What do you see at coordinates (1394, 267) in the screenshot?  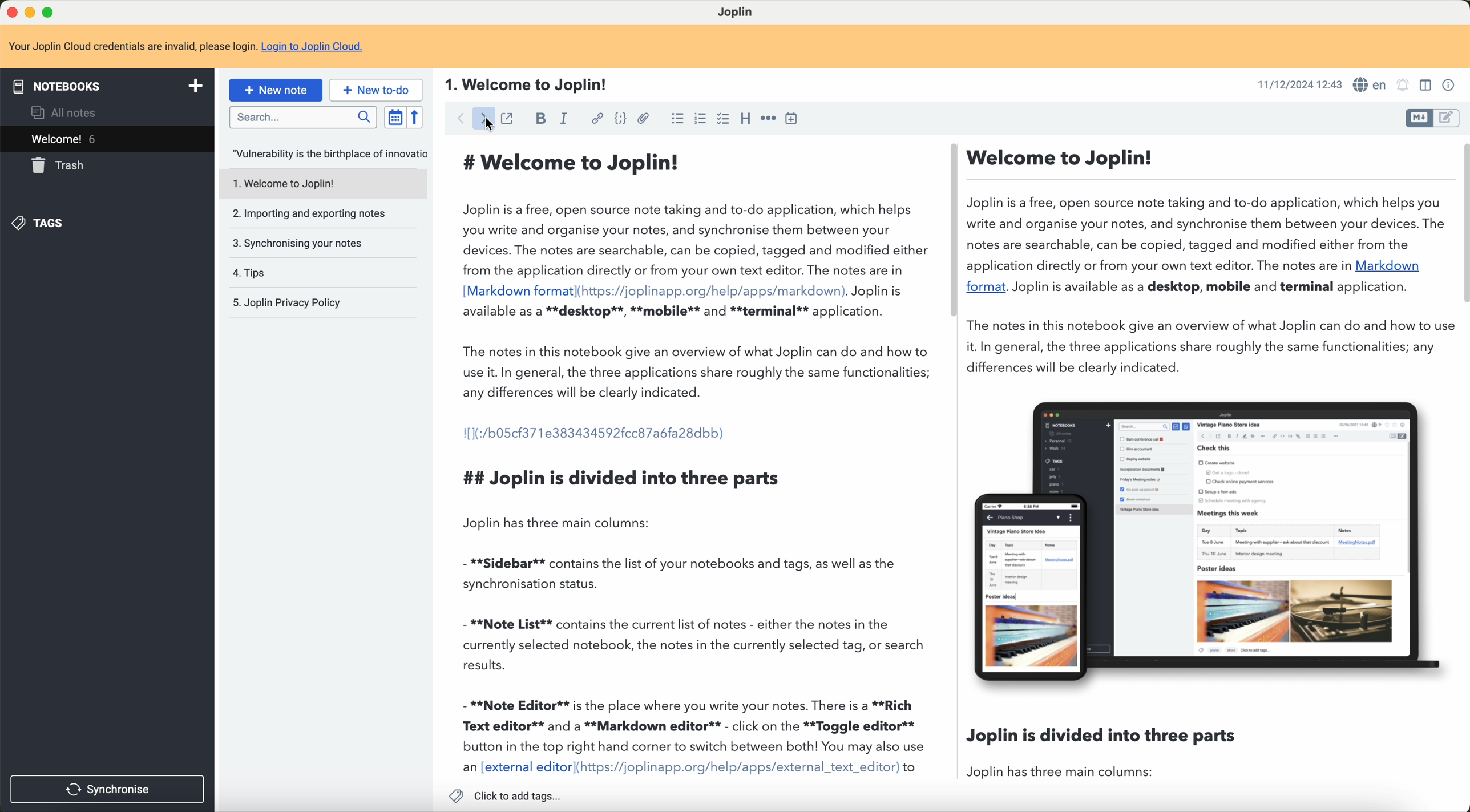 I see `Markdown` at bounding box center [1394, 267].